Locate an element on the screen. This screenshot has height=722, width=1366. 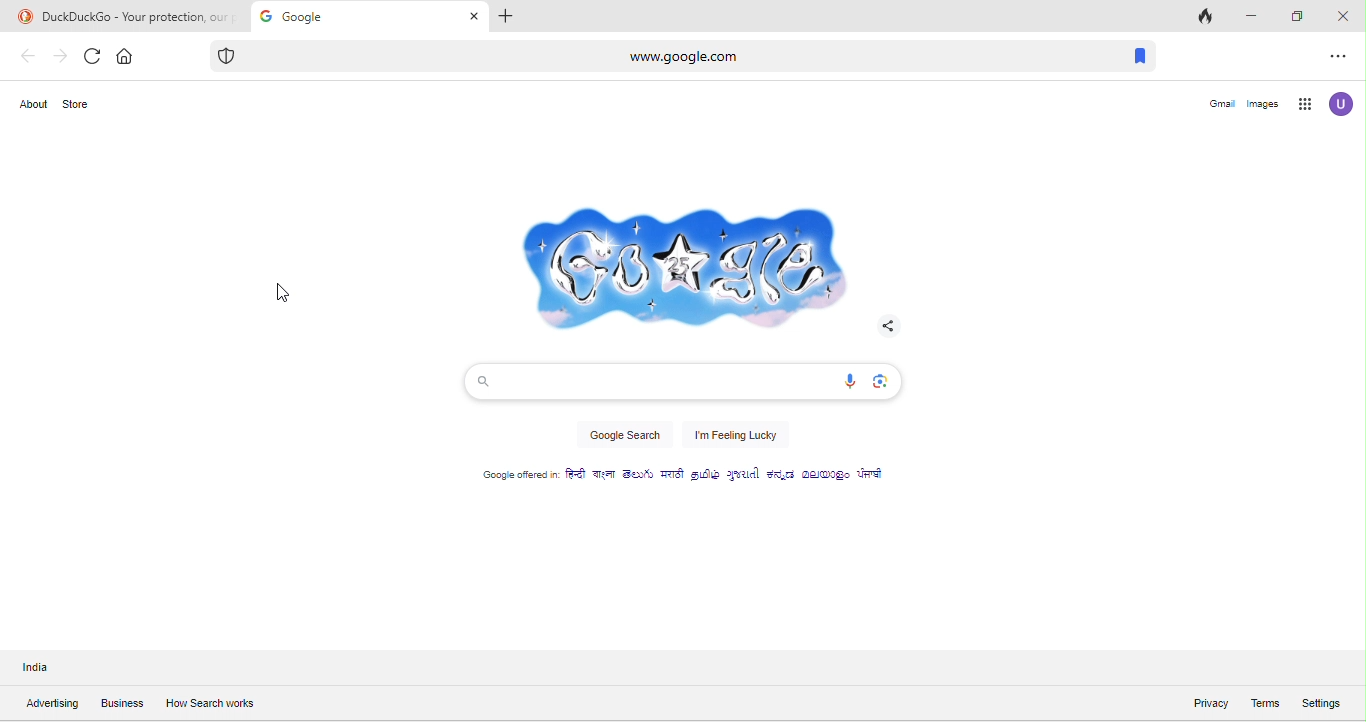
store is located at coordinates (83, 104).